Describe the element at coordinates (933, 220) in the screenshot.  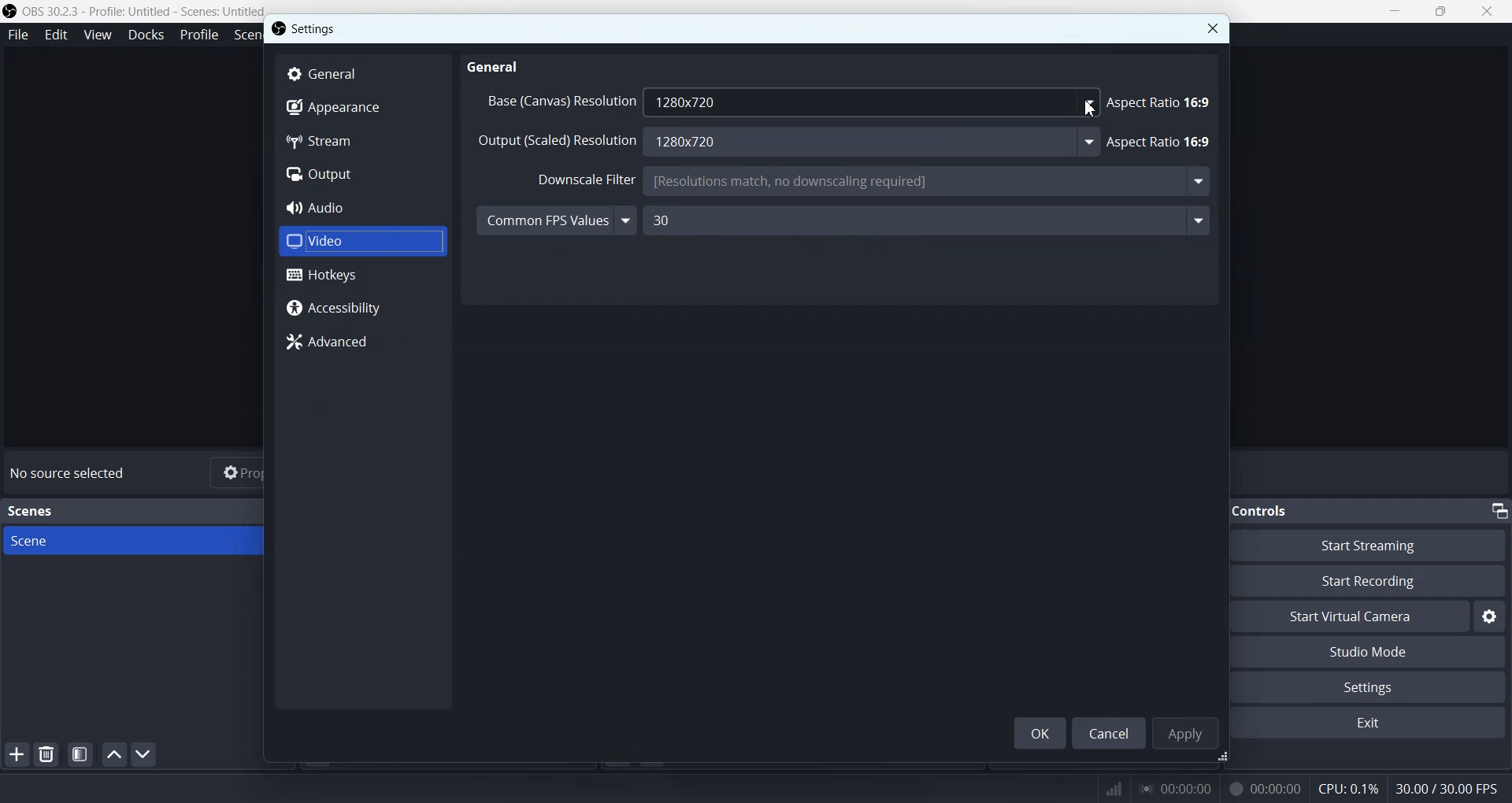
I see `30 ` at that location.